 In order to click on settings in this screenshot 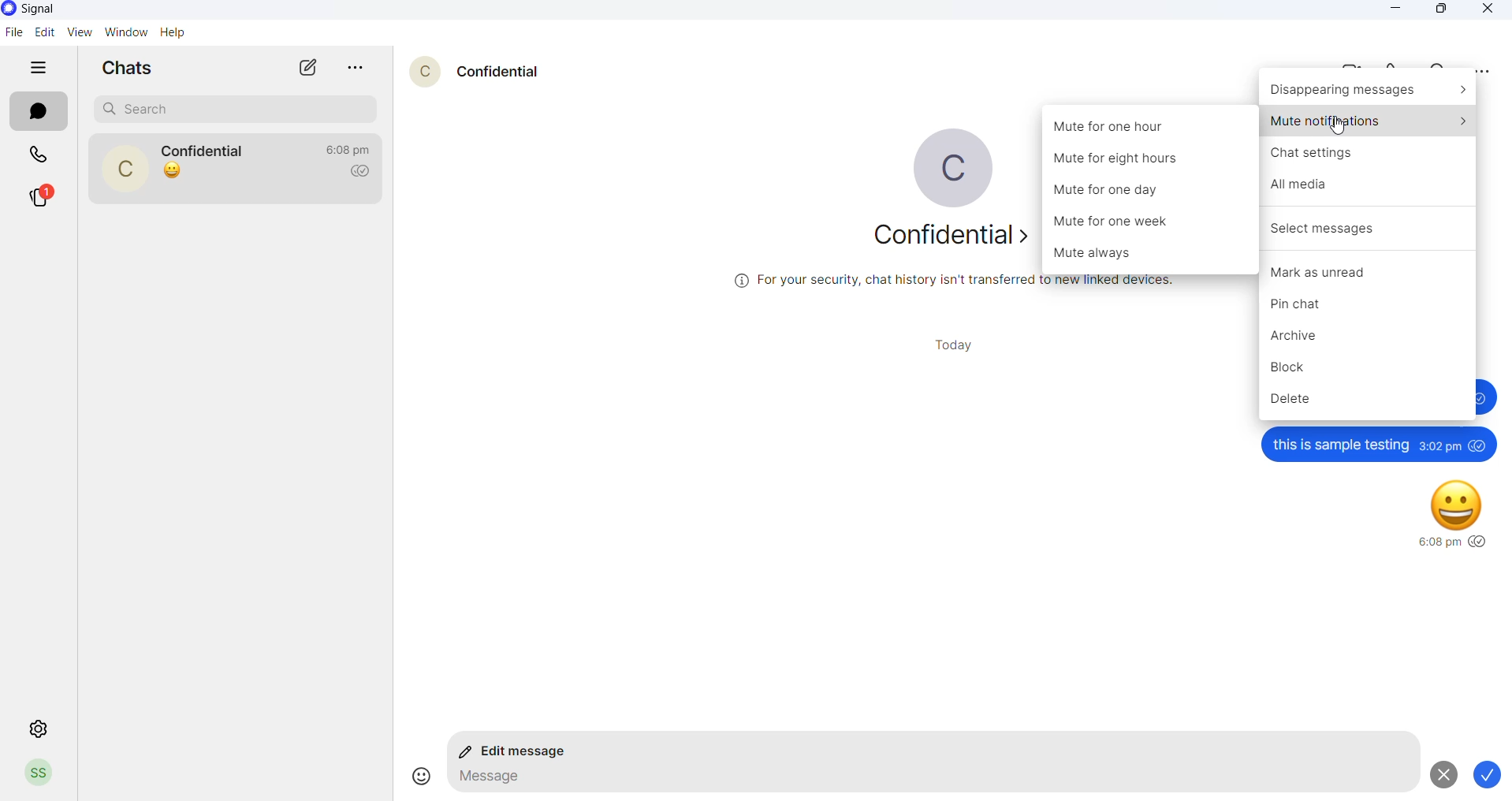, I will do `click(40, 726)`.